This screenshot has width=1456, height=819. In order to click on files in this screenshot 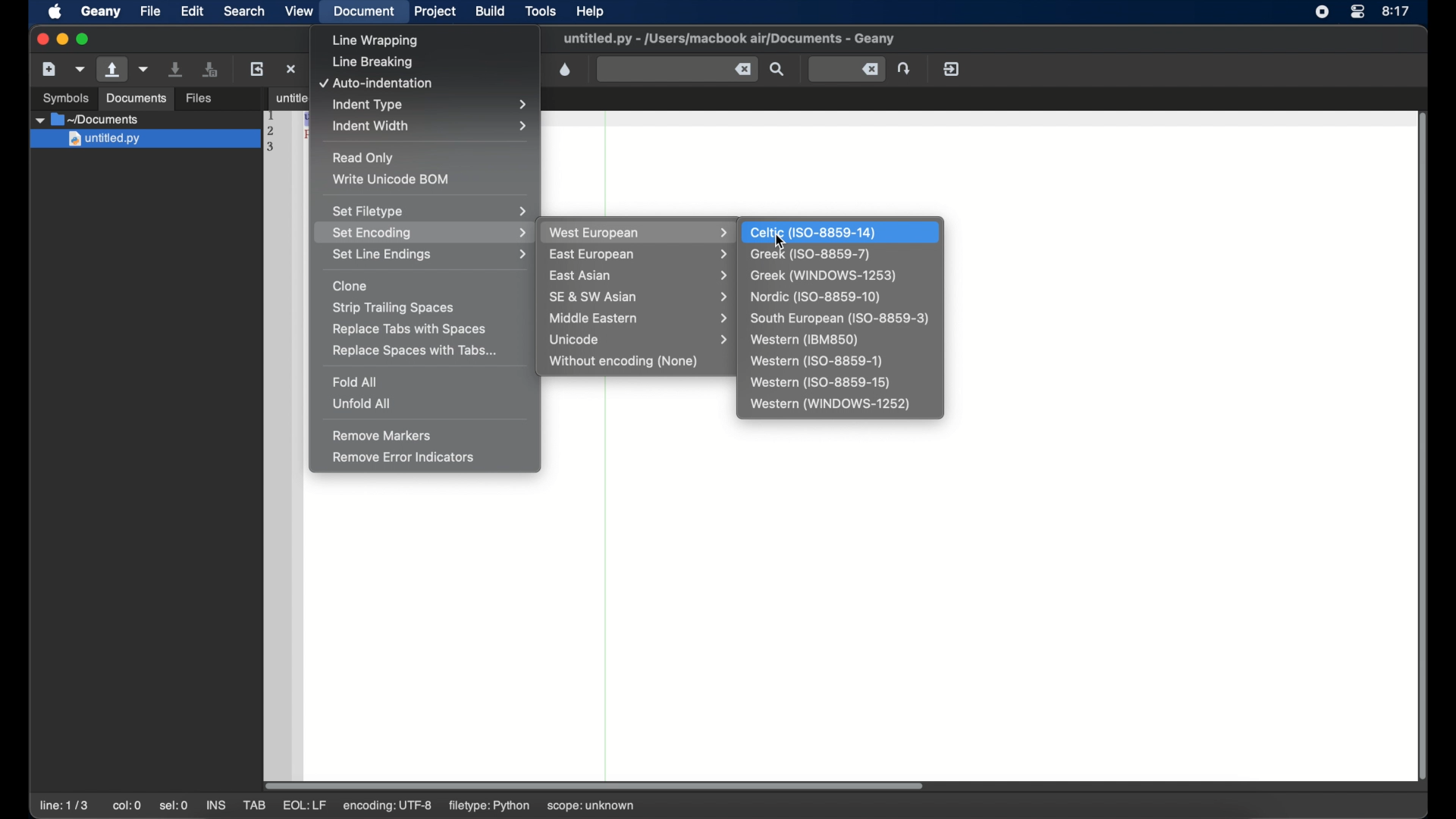, I will do `click(199, 99)`.